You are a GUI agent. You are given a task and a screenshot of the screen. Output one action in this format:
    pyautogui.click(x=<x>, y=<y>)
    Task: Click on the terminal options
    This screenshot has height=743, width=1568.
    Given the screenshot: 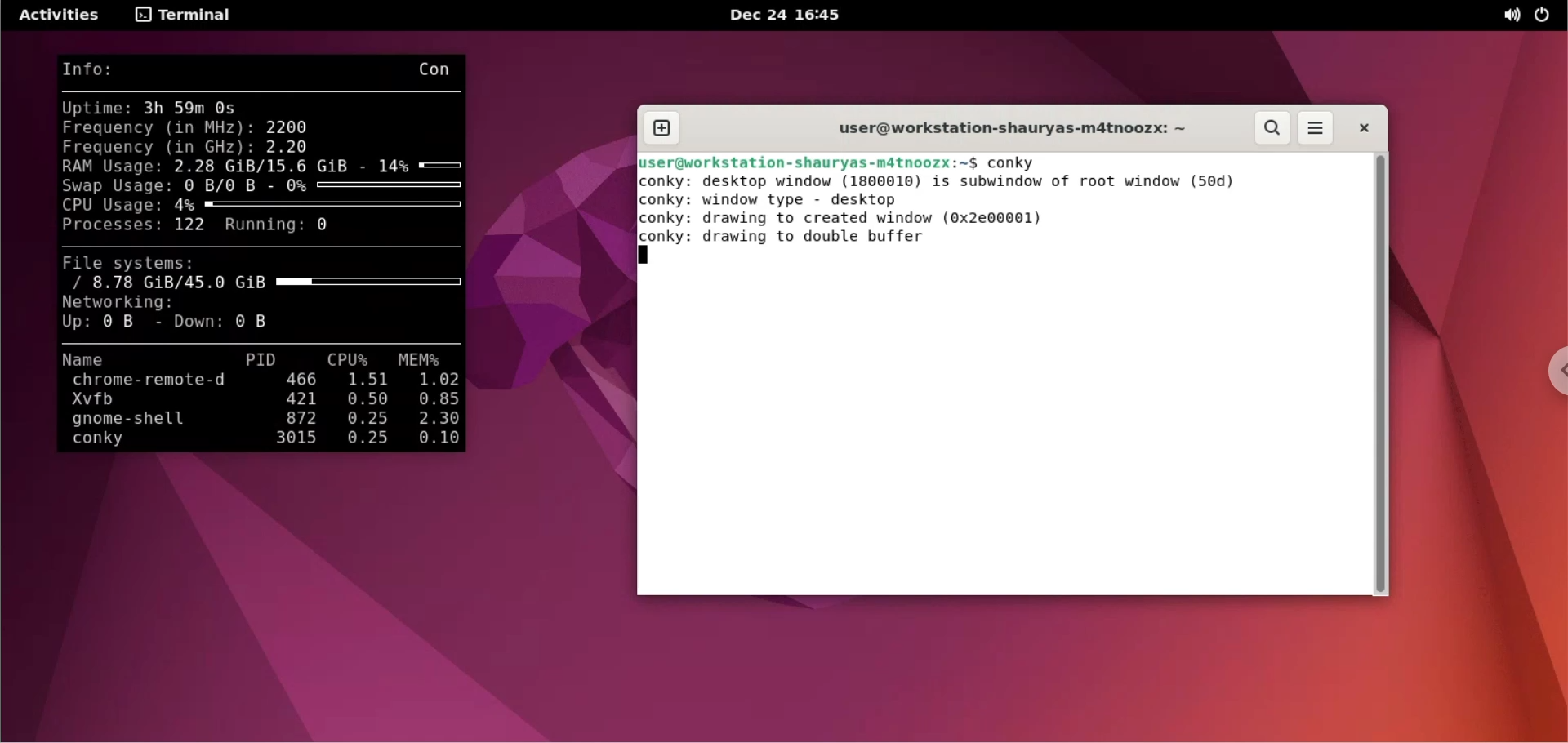 What is the action you would take?
    pyautogui.click(x=182, y=17)
    